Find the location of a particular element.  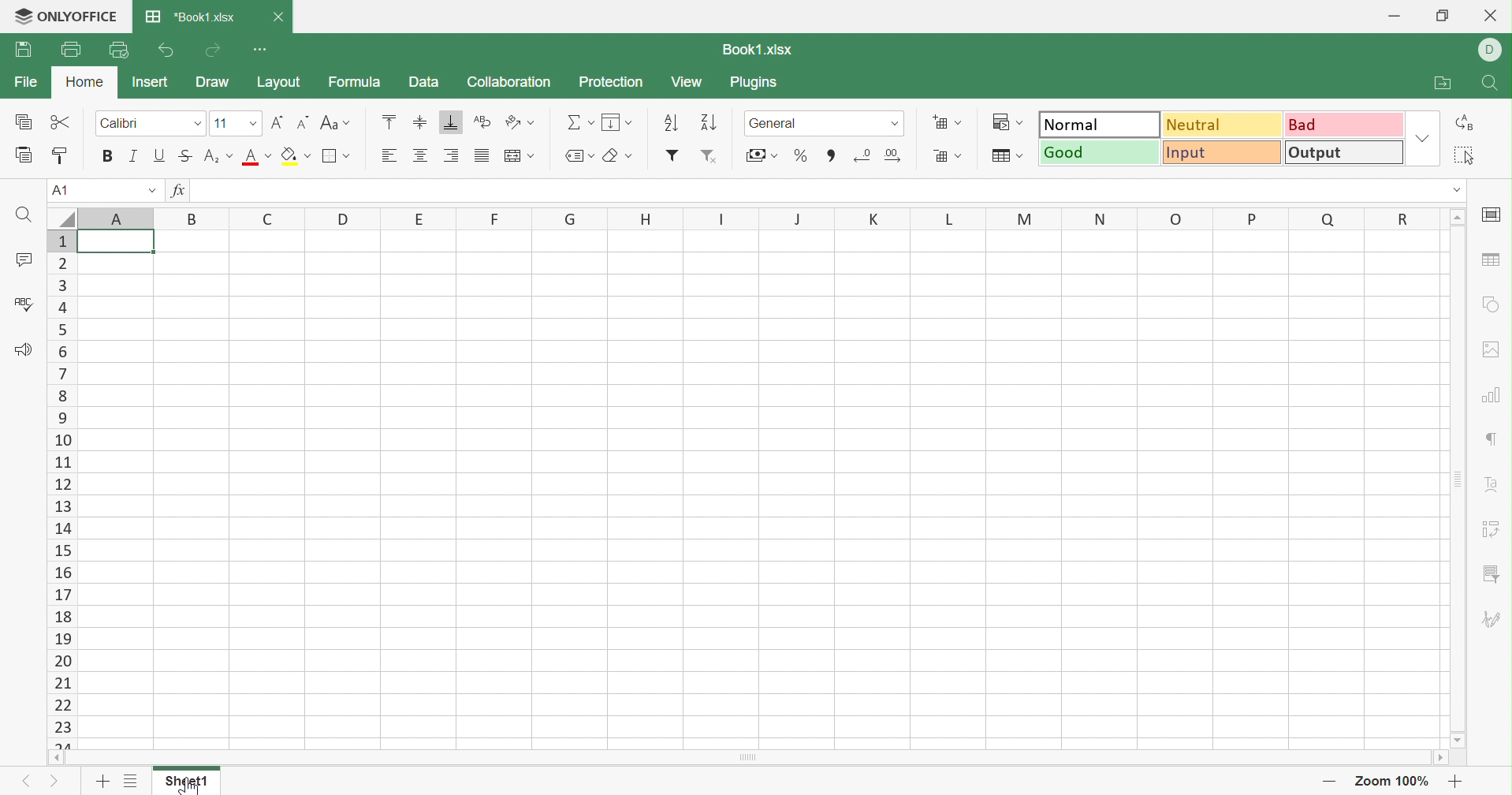

Output is located at coordinates (1344, 152).